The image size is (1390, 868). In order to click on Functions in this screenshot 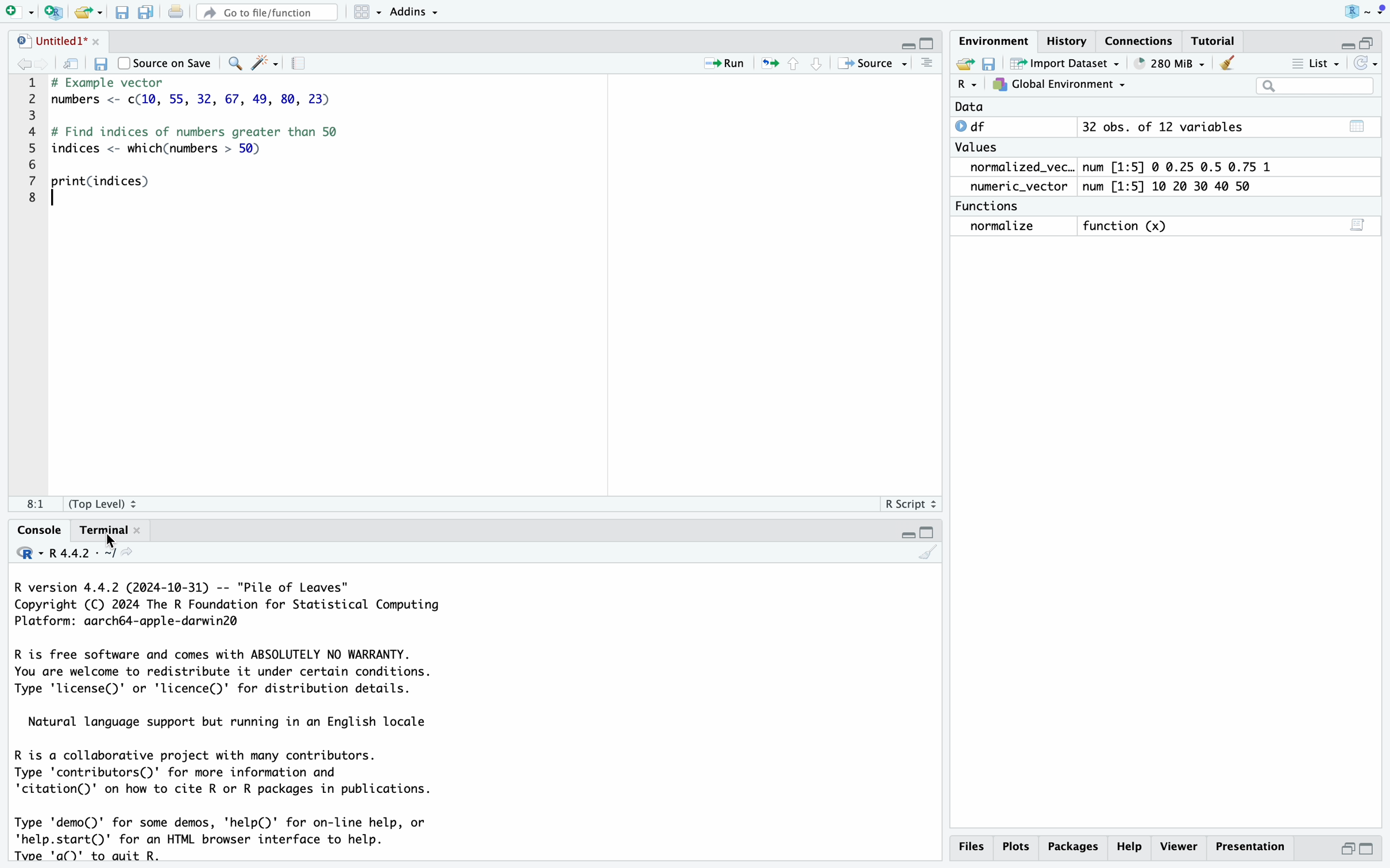, I will do `click(991, 205)`.